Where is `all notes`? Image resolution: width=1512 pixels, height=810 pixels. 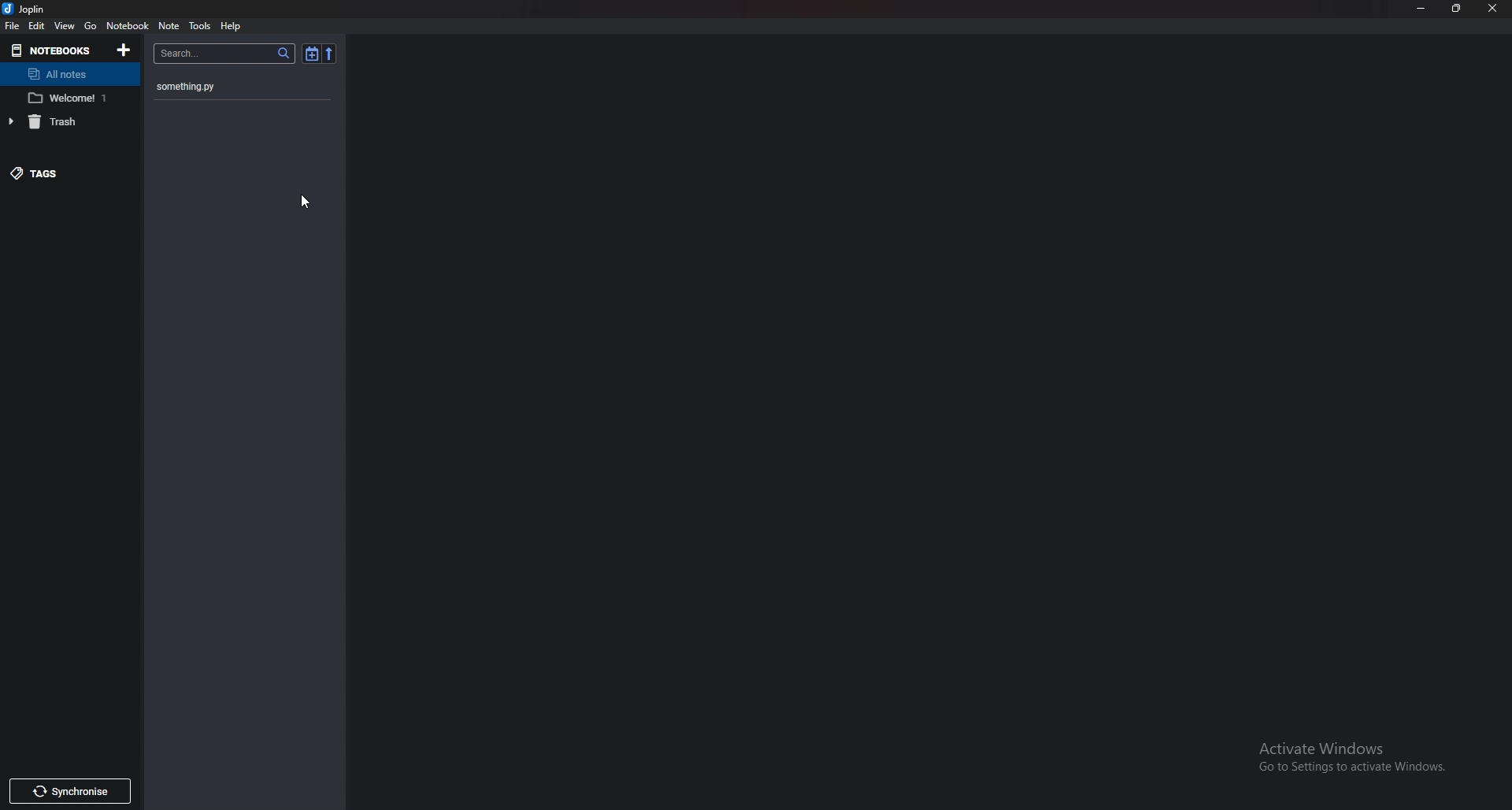 all notes is located at coordinates (68, 72).